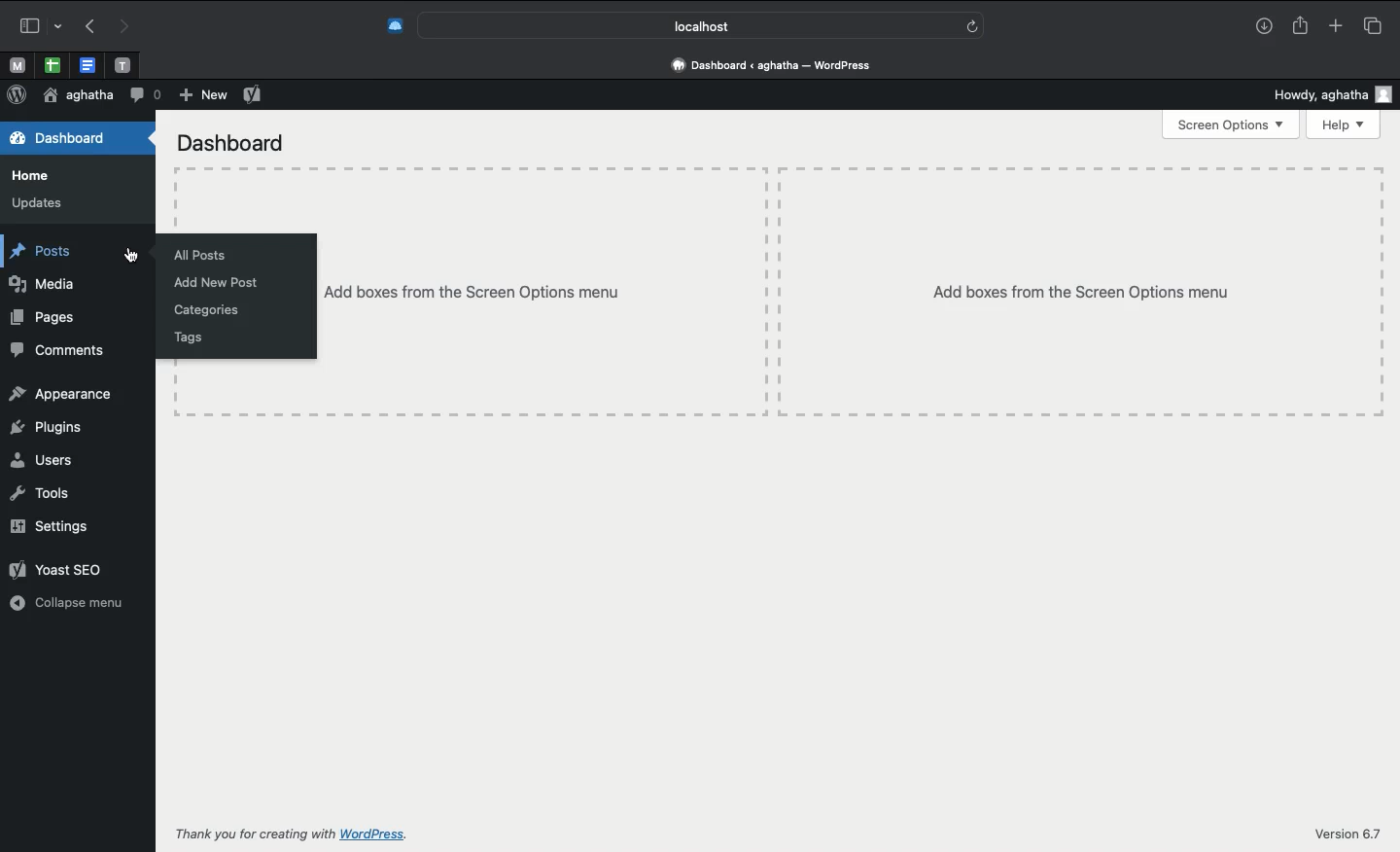  I want to click on Tools, so click(39, 496).